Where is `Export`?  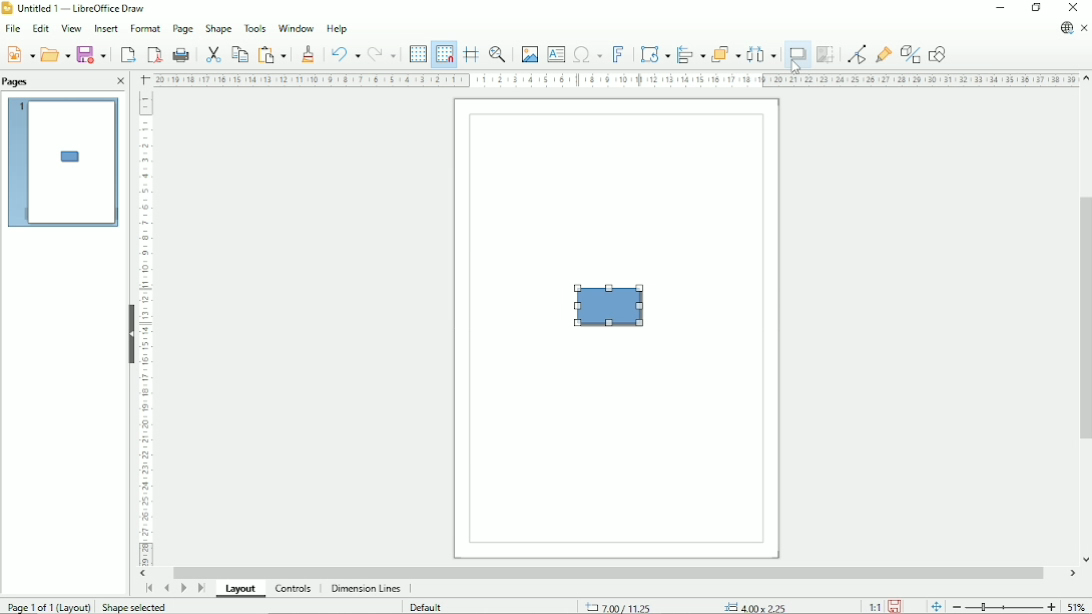 Export is located at coordinates (127, 55).